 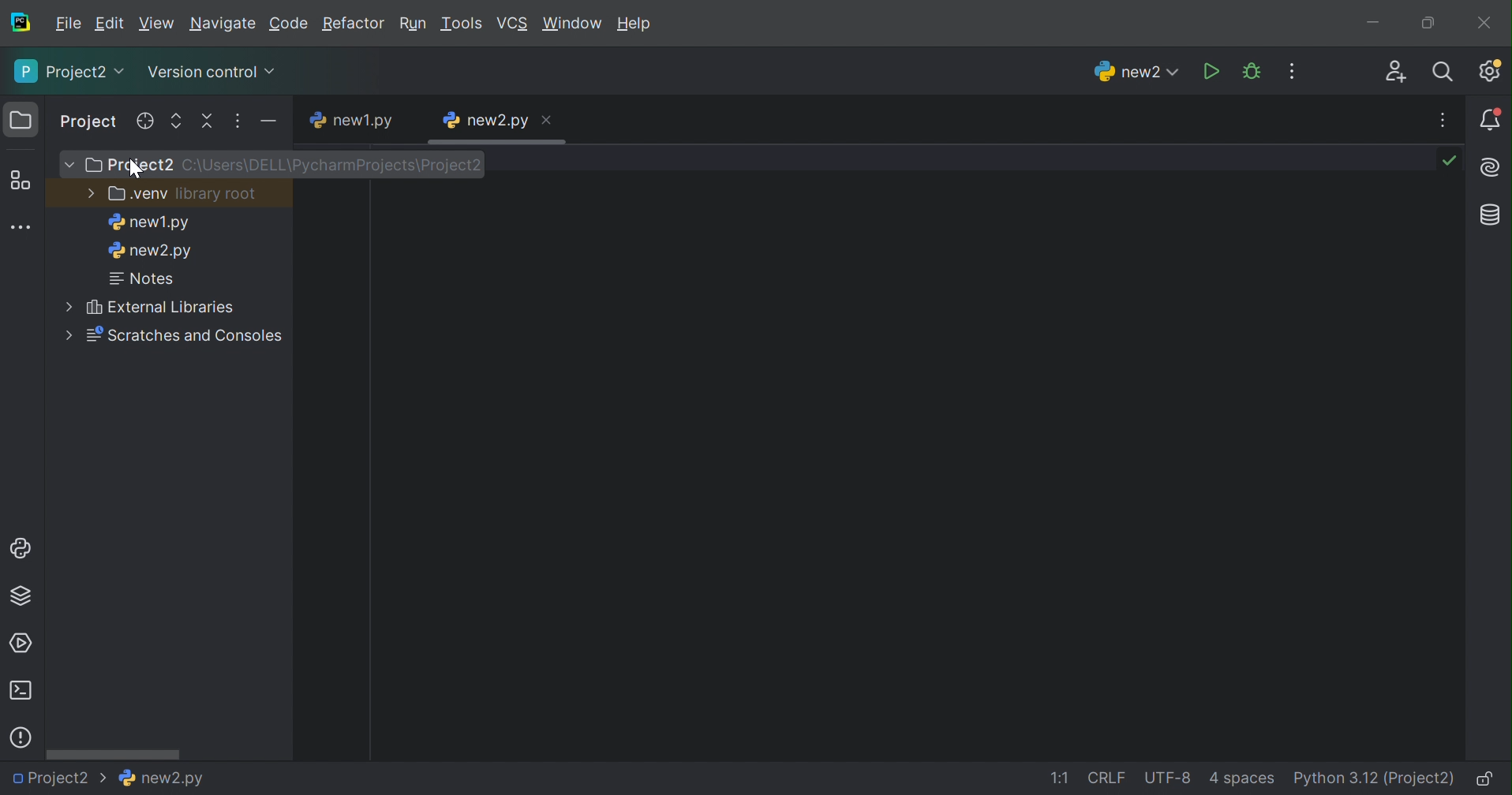 What do you see at coordinates (115, 753) in the screenshot?
I see `Scroll bar` at bounding box center [115, 753].